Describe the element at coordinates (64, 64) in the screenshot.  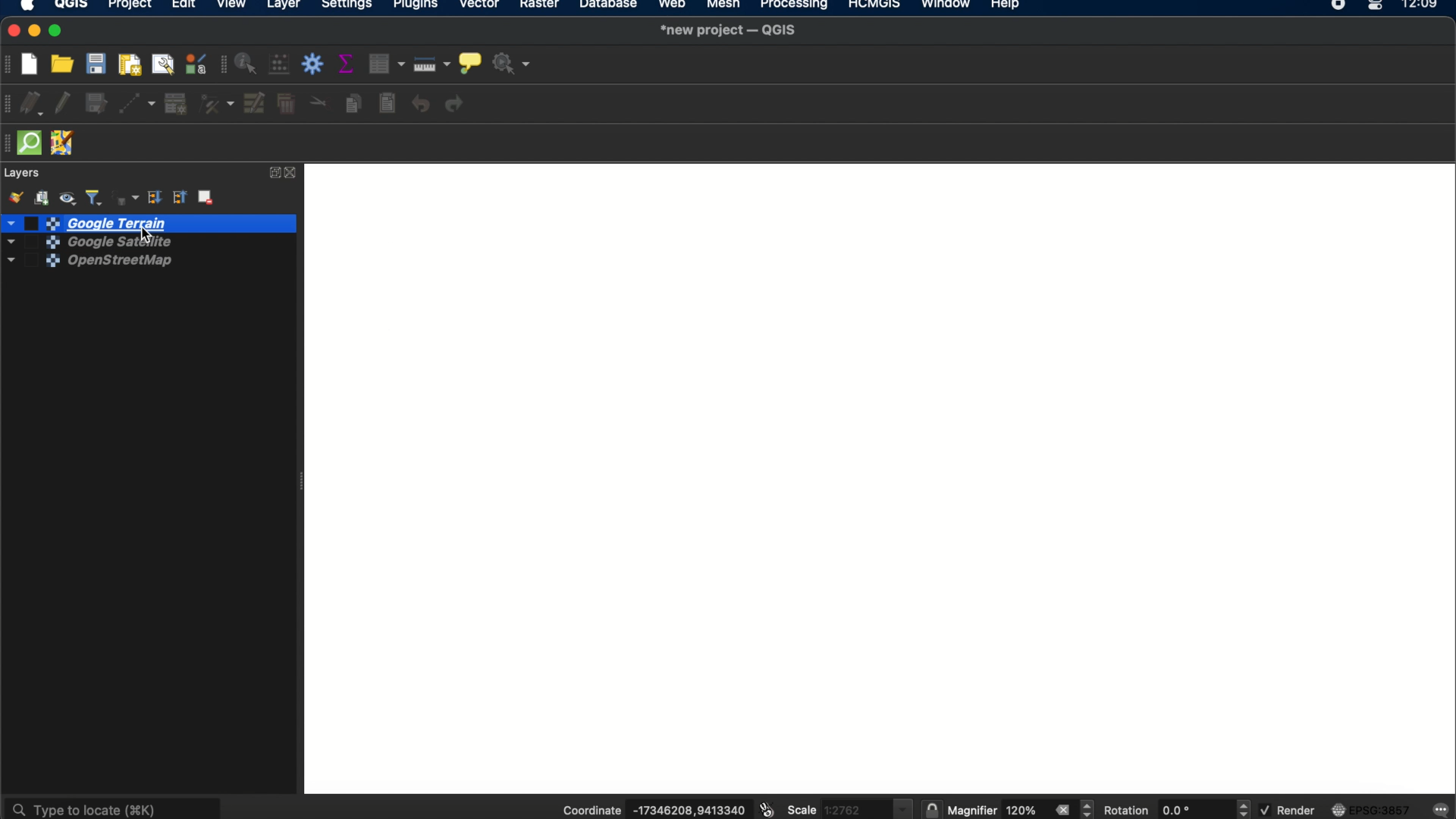
I see `open project` at that location.